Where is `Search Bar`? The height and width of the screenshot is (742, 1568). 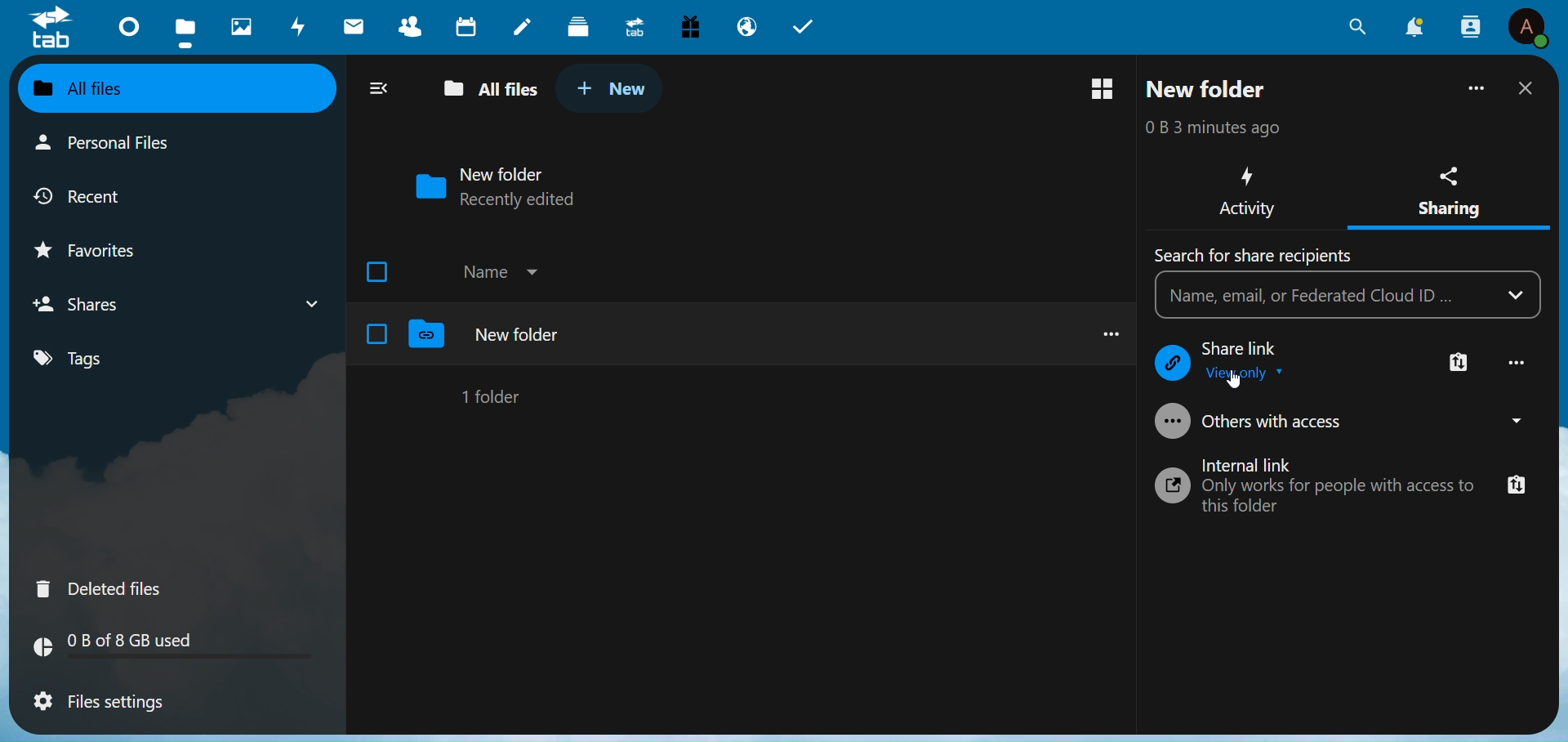
Search Bar is located at coordinates (1323, 296).